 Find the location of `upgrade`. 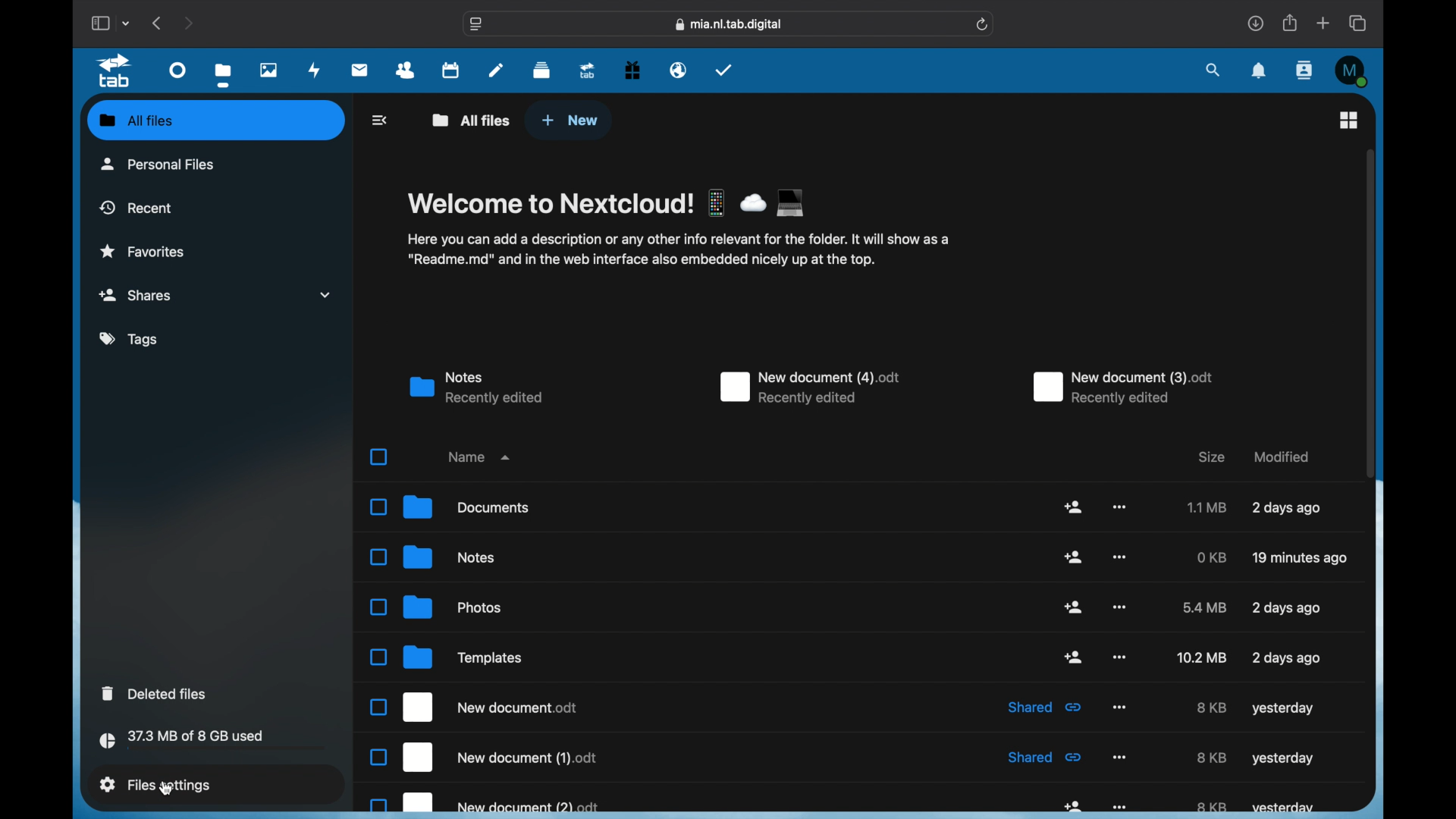

upgrade is located at coordinates (588, 71).